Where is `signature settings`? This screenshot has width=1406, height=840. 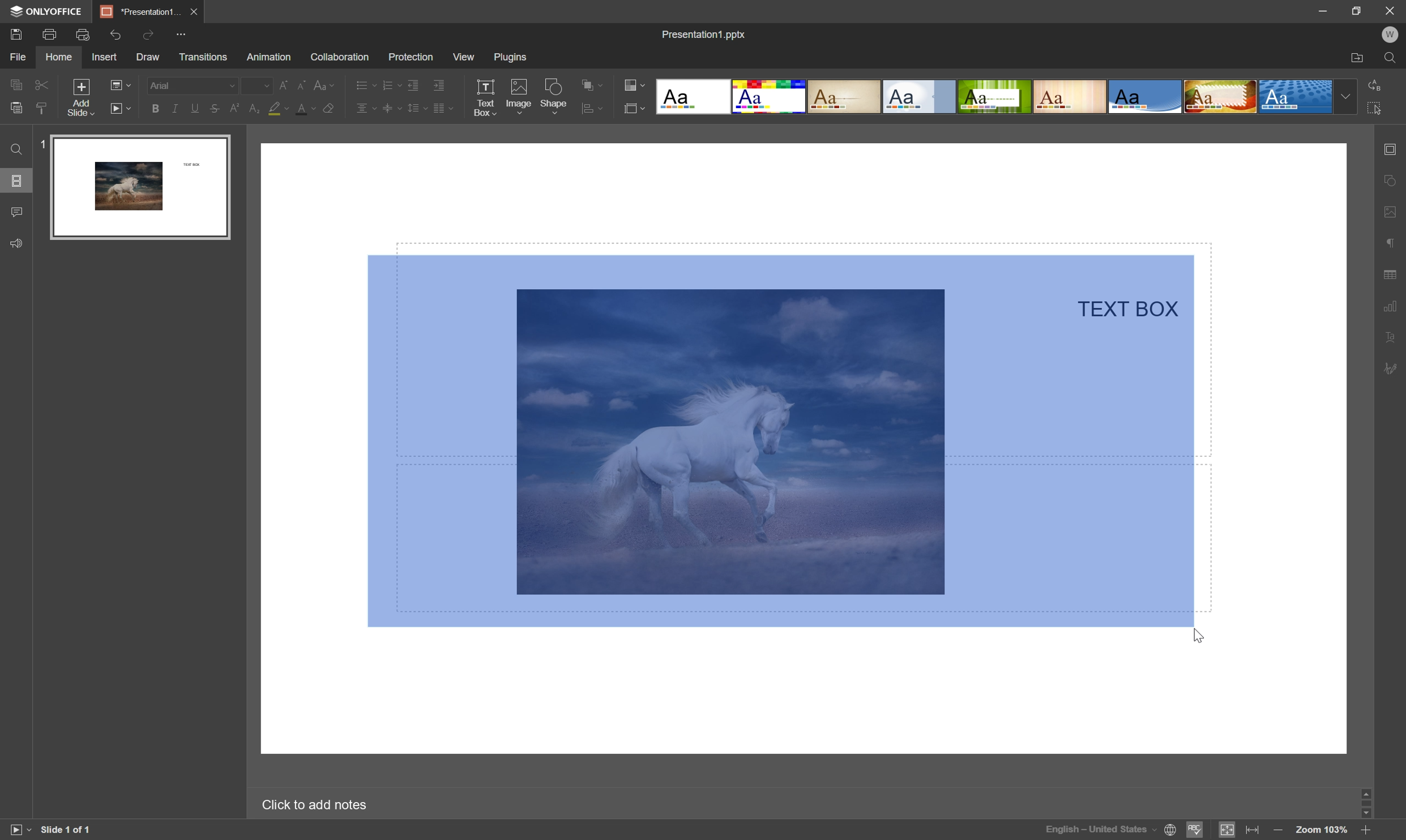 signature settings is located at coordinates (1390, 371).